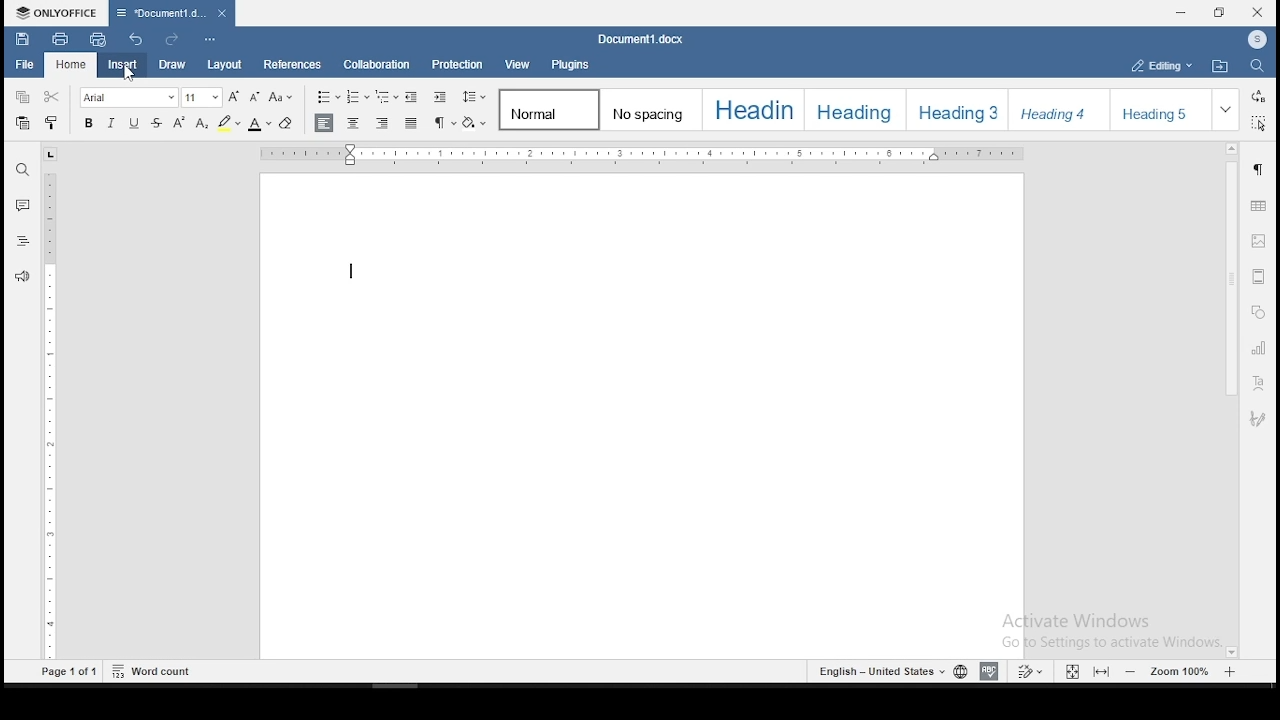 This screenshot has width=1280, height=720. I want to click on headings, so click(23, 241).